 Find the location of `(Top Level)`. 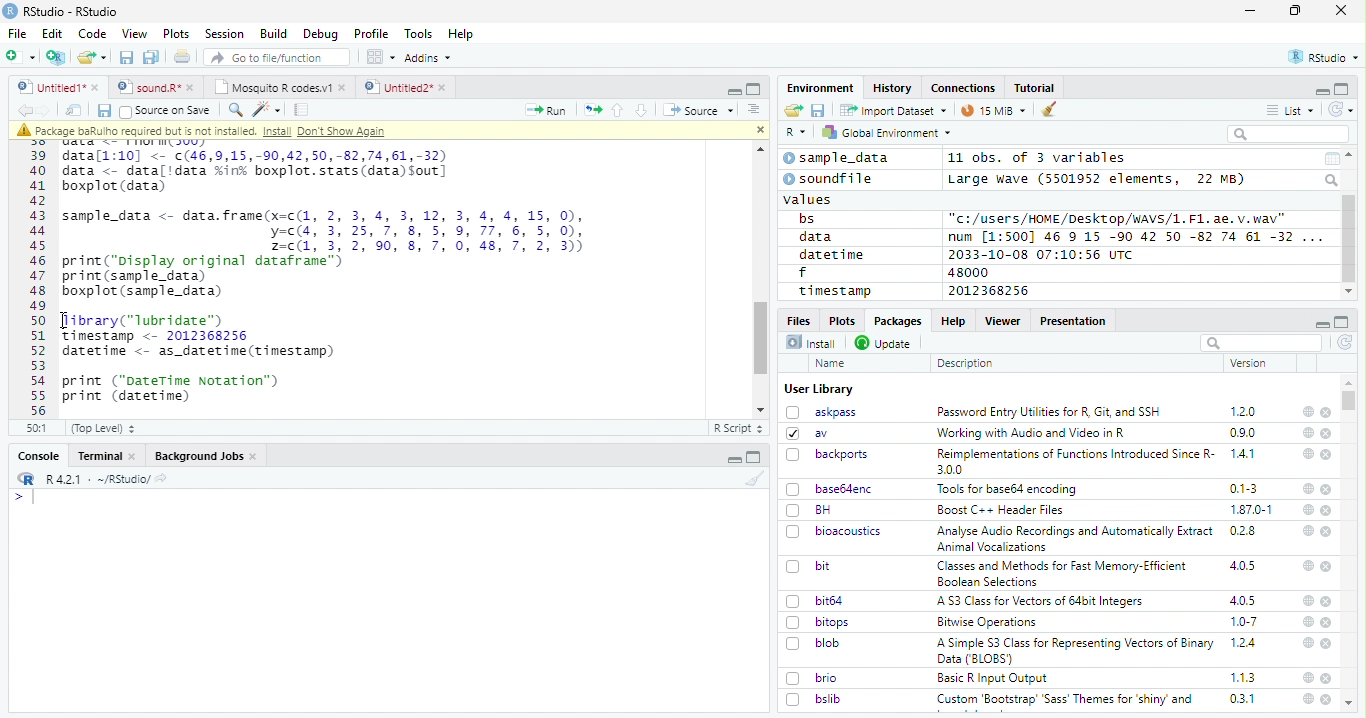

(Top Level) is located at coordinates (102, 428).